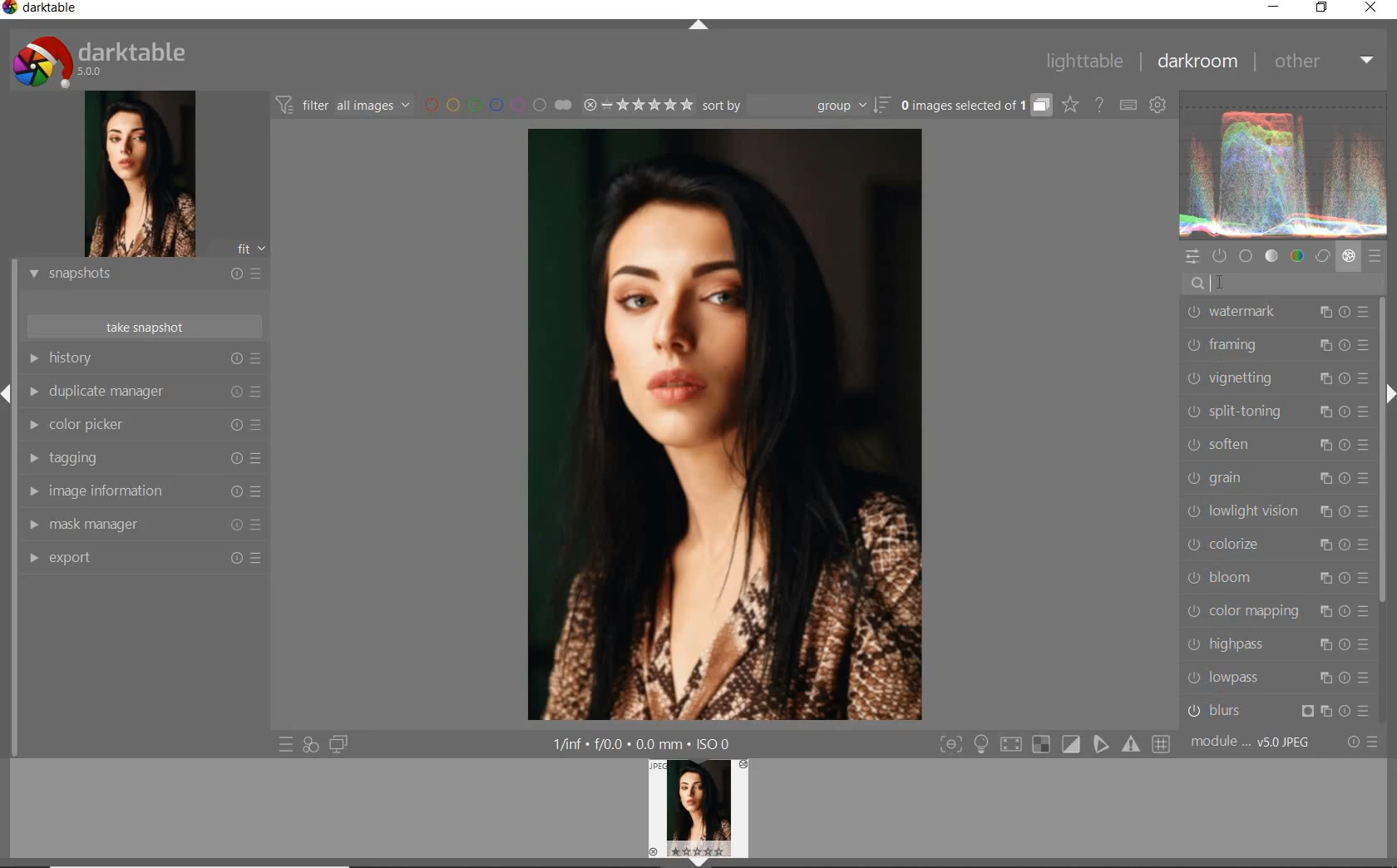  I want to click on scrollbar, so click(1383, 450).